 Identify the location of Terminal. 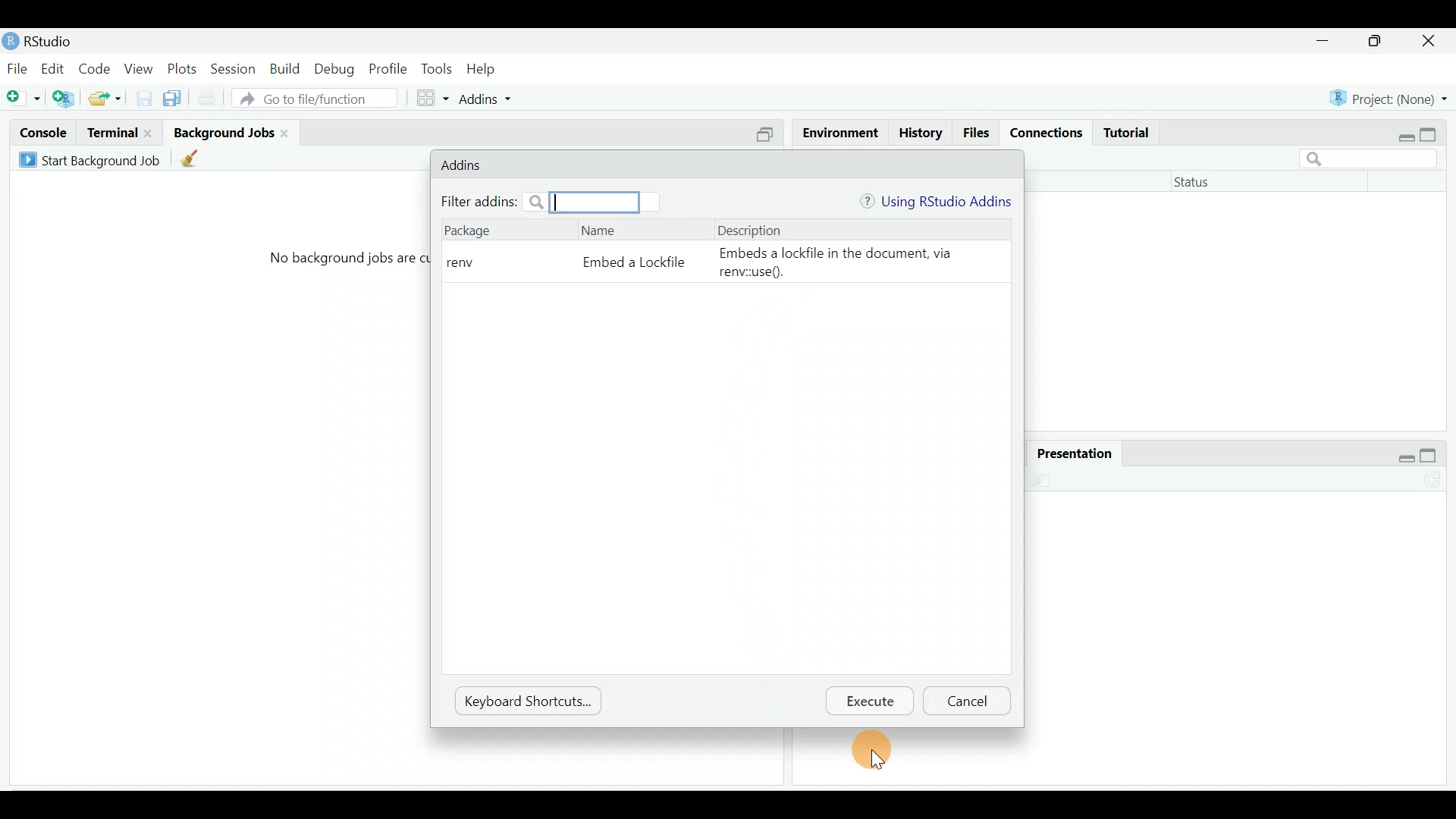
(112, 133).